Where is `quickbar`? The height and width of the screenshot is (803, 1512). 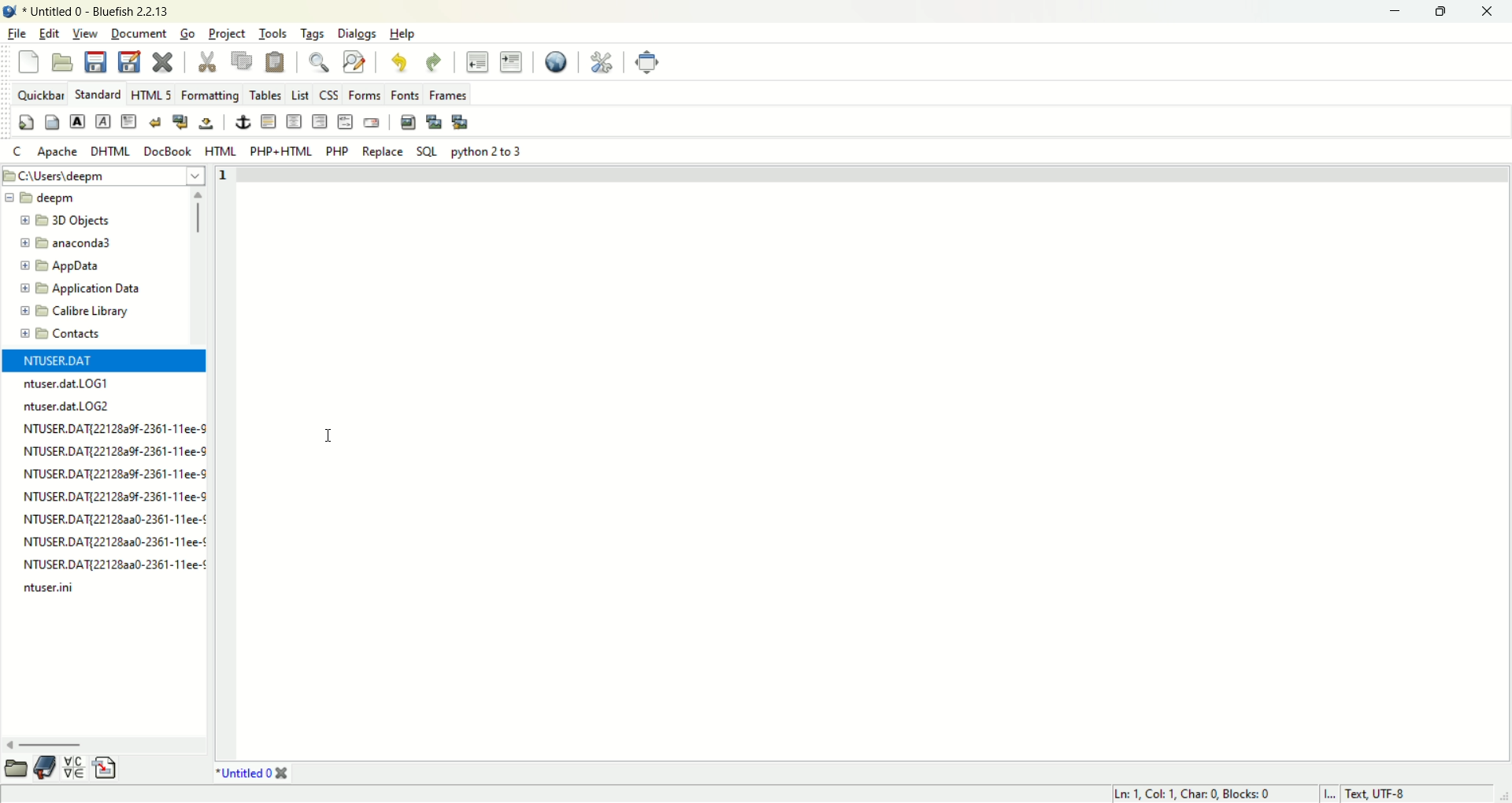
quickbar is located at coordinates (39, 94).